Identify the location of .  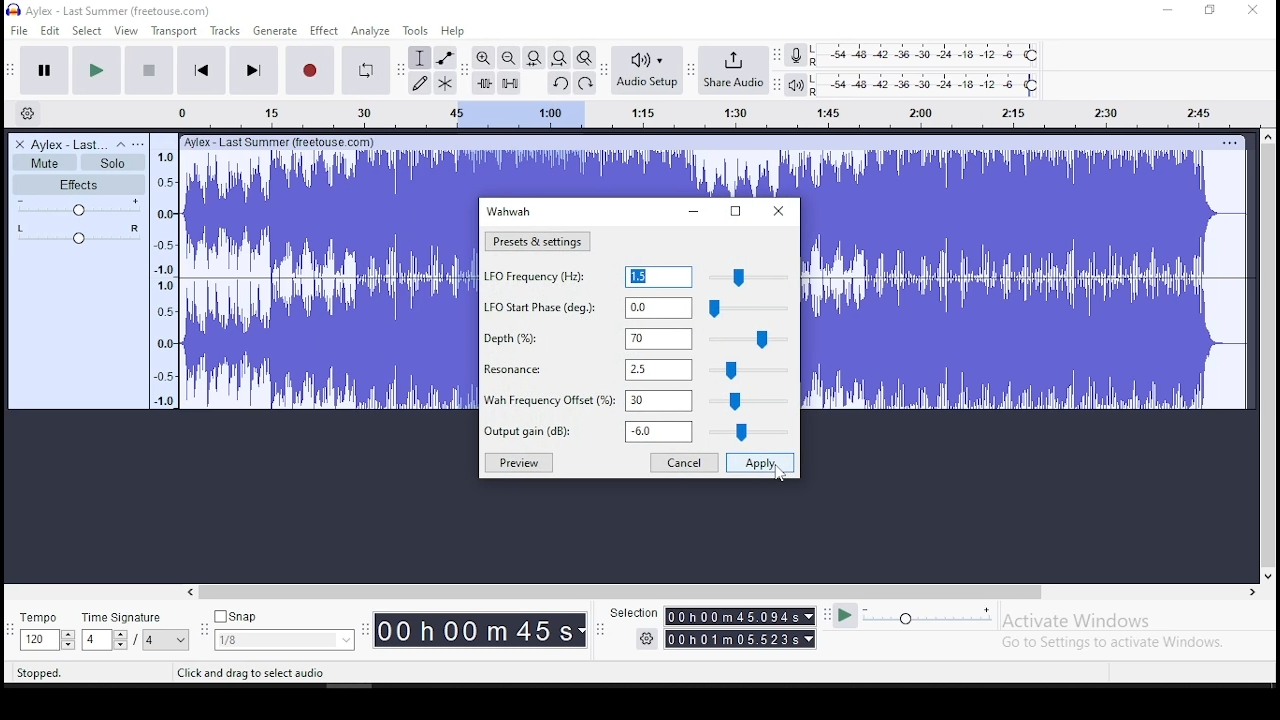
(245, 673).